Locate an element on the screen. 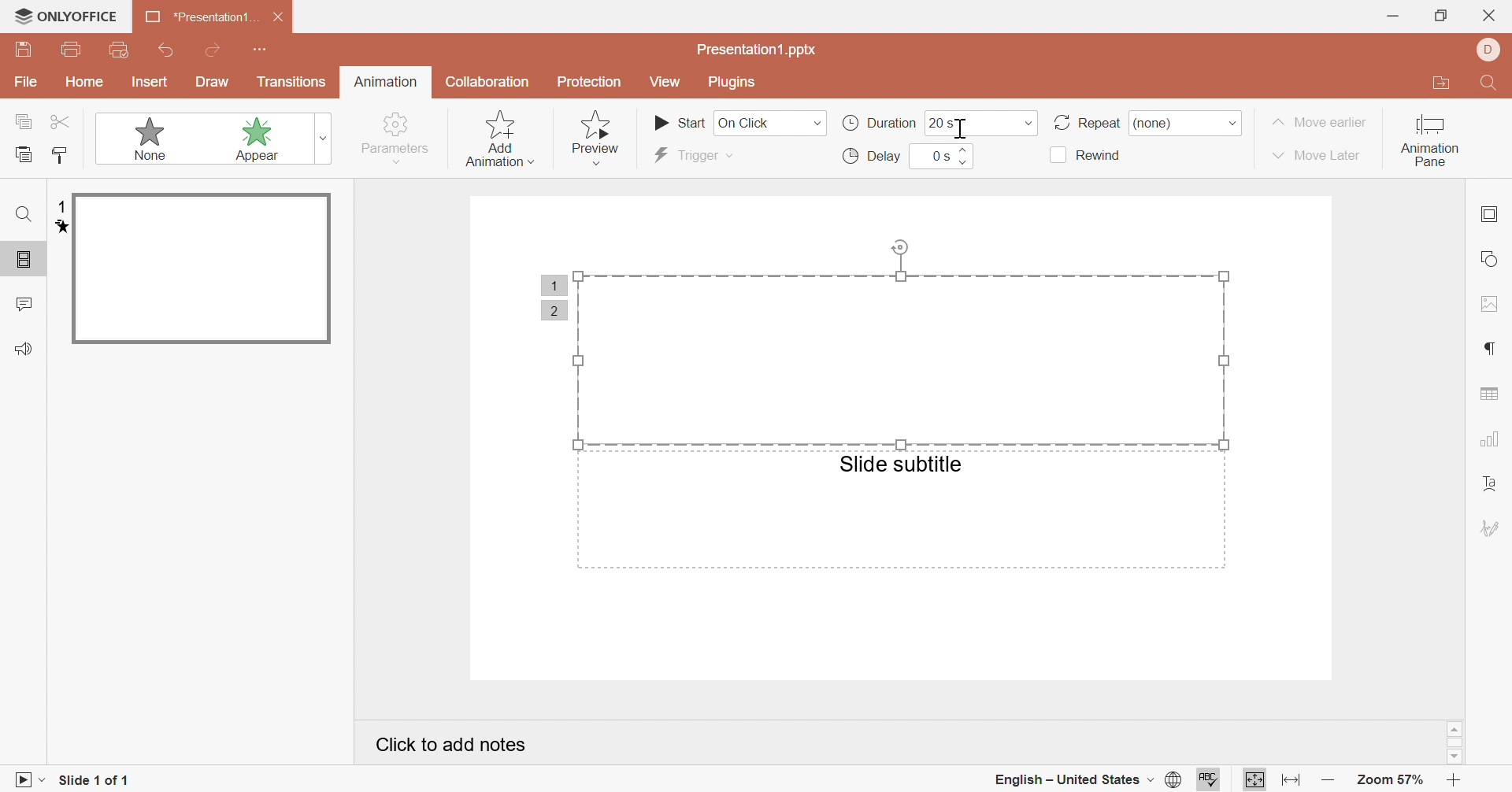 This screenshot has width=1512, height=792. feedback & support is located at coordinates (26, 348).